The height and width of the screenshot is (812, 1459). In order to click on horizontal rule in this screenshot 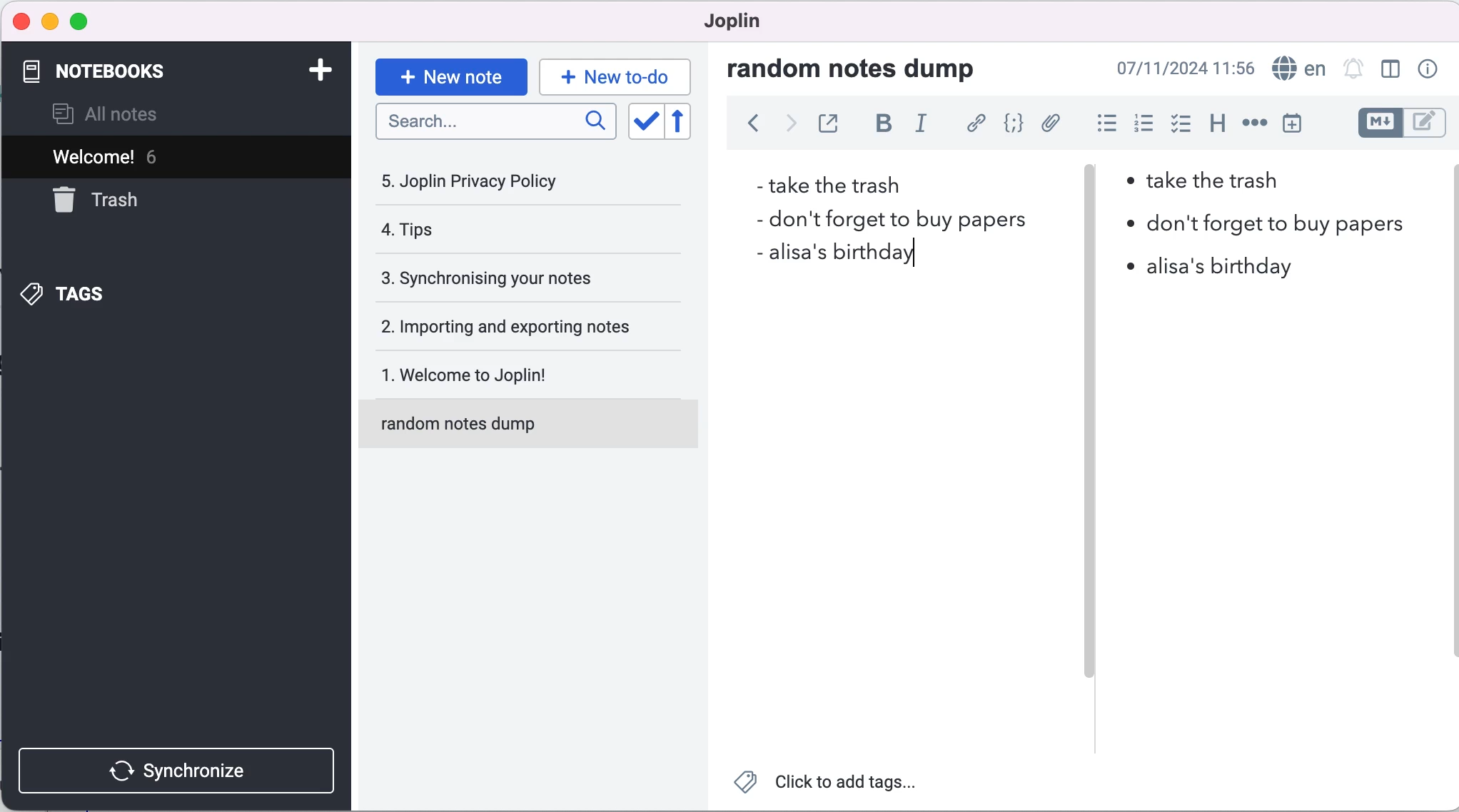, I will do `click(1254, 123)`.